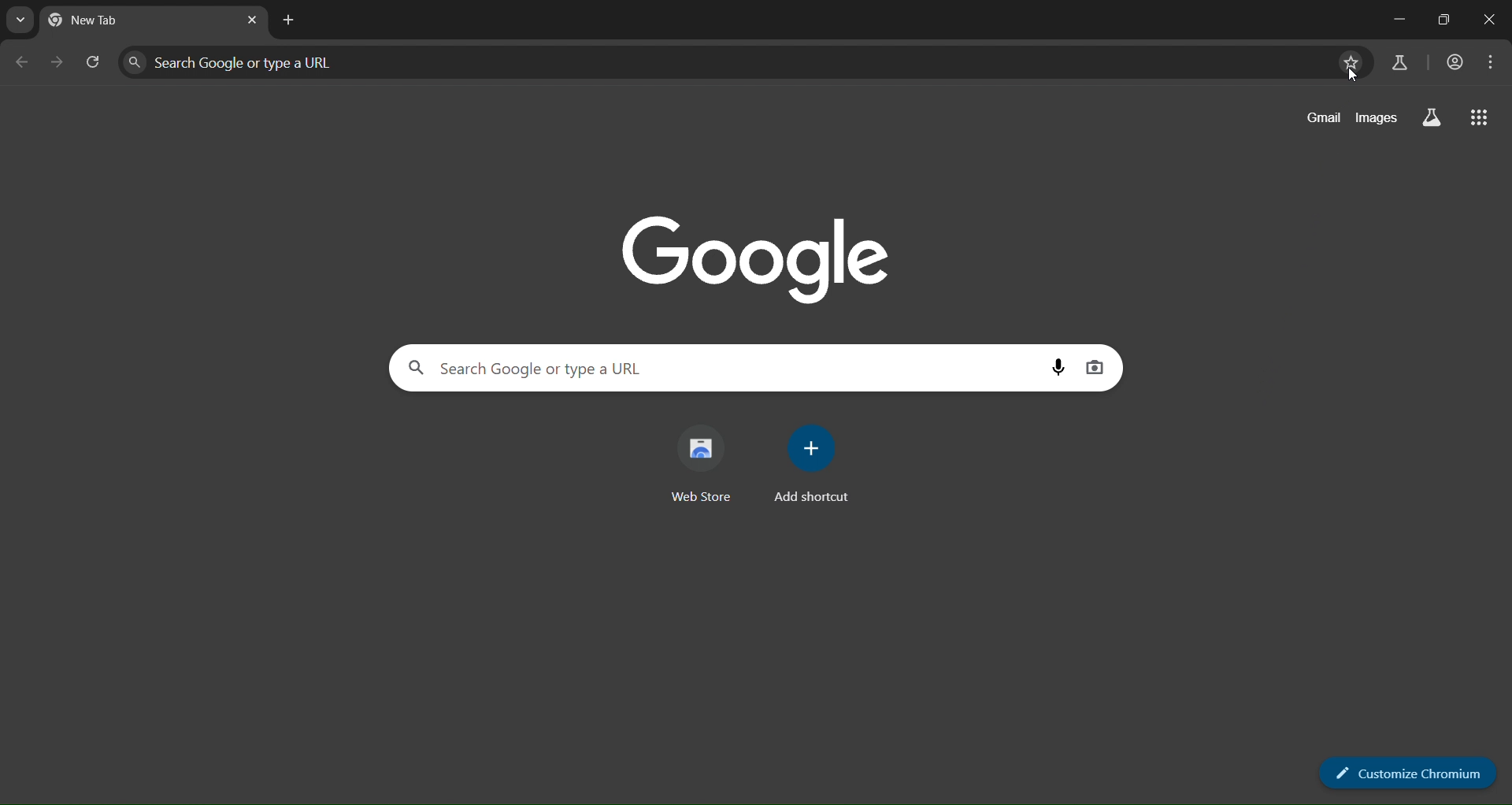  Describe the element at coordinates (1395, 64) in the screenshot. I see `search labs` at that location.